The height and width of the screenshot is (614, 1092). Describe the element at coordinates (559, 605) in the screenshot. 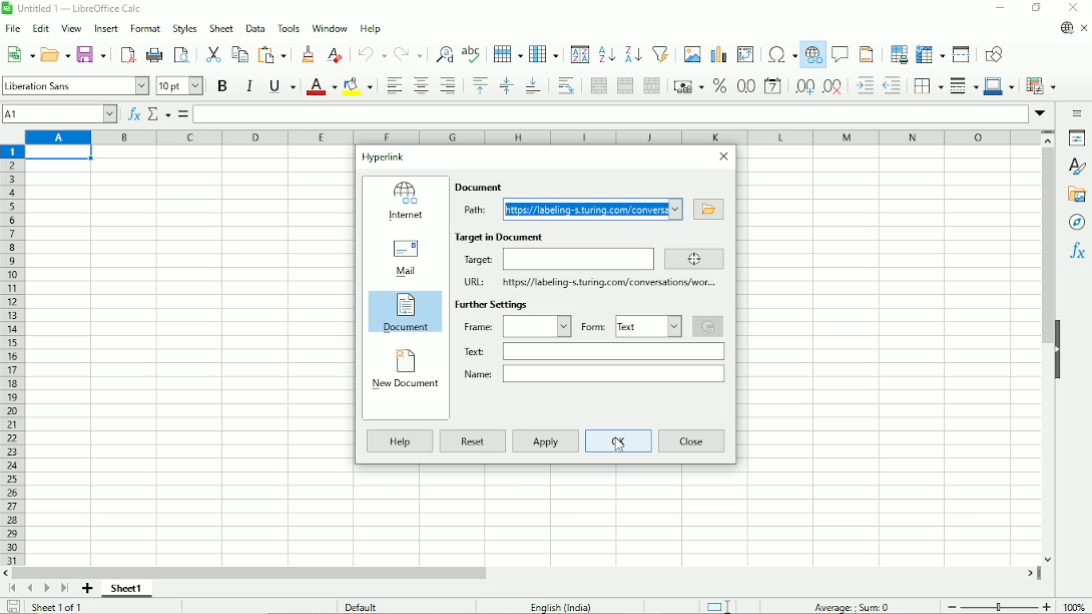

I see `English (India)` at that location.